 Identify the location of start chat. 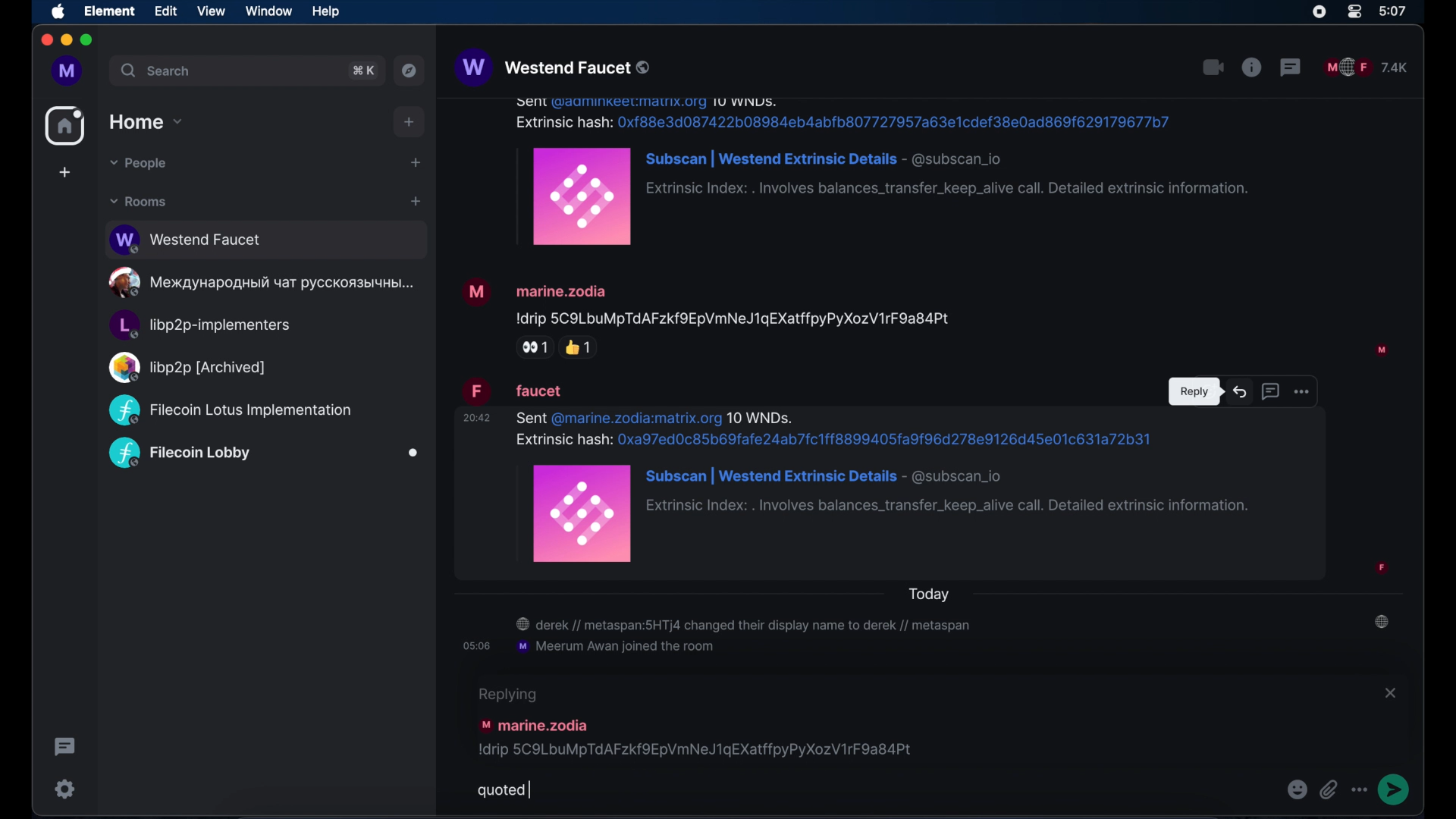
(415, 162).